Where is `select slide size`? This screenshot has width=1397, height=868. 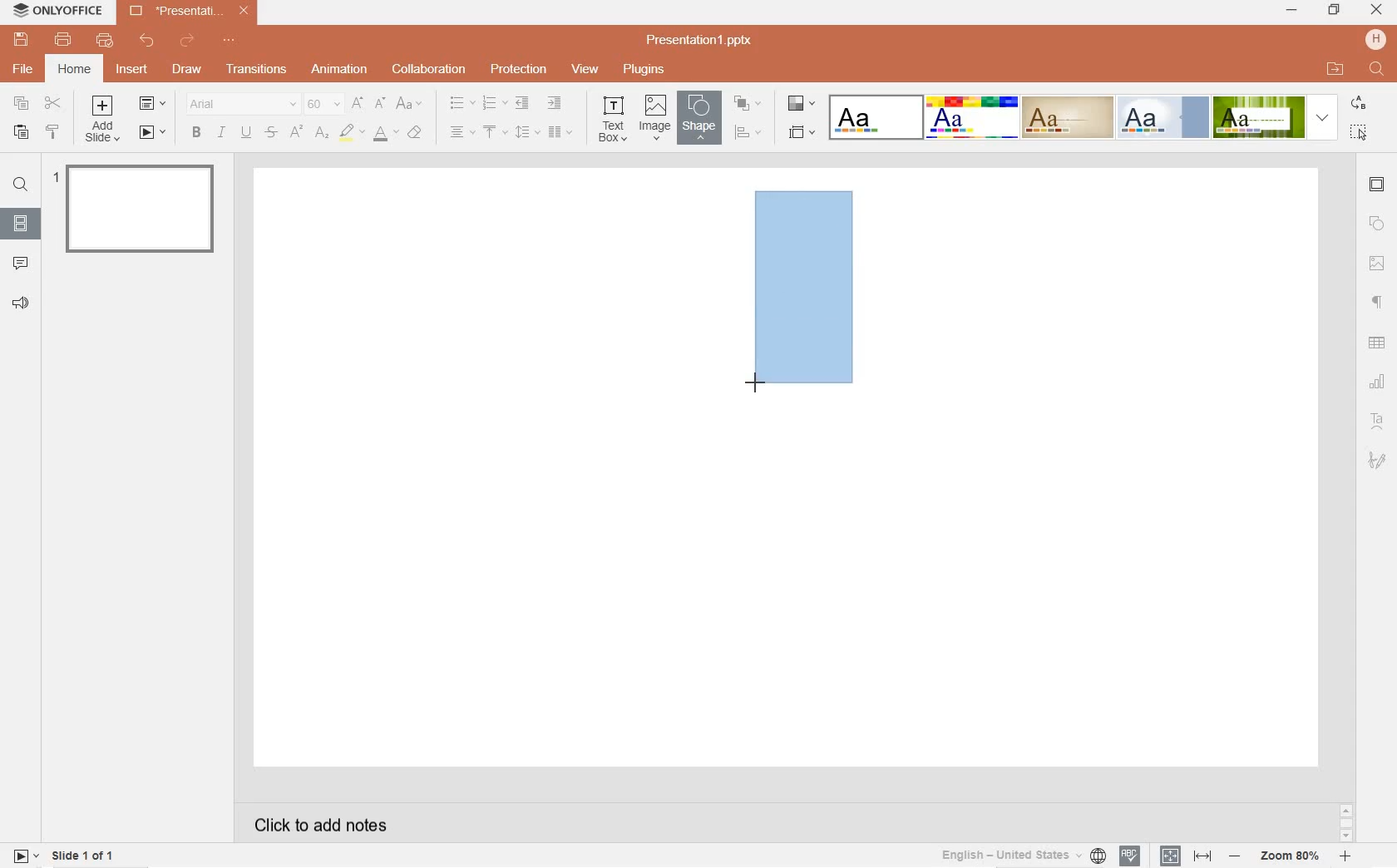
select slide size is located at coordinates (800, 133).